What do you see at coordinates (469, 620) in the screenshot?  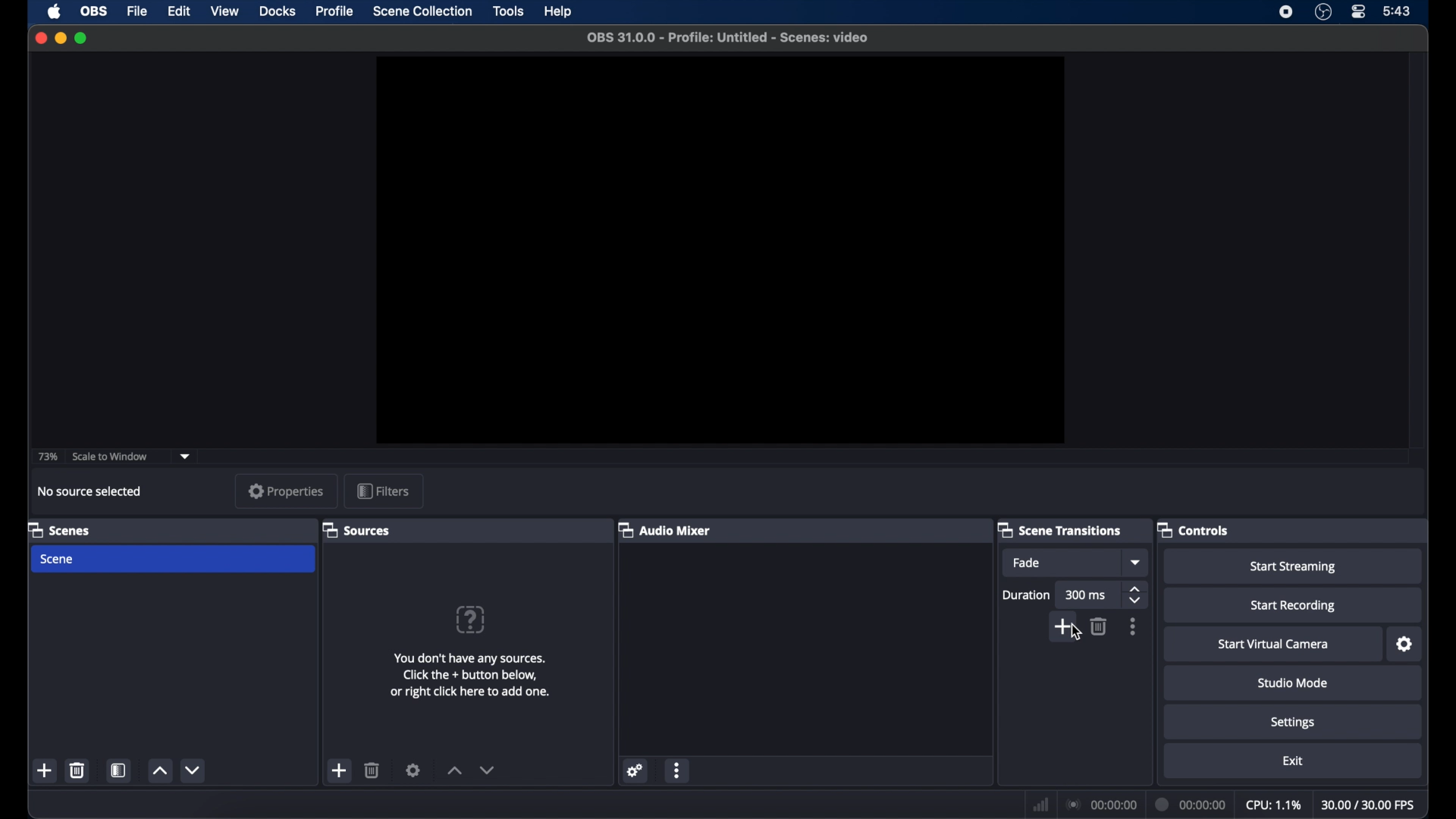 I see `question mark icon` at bounding box center [469, 620].